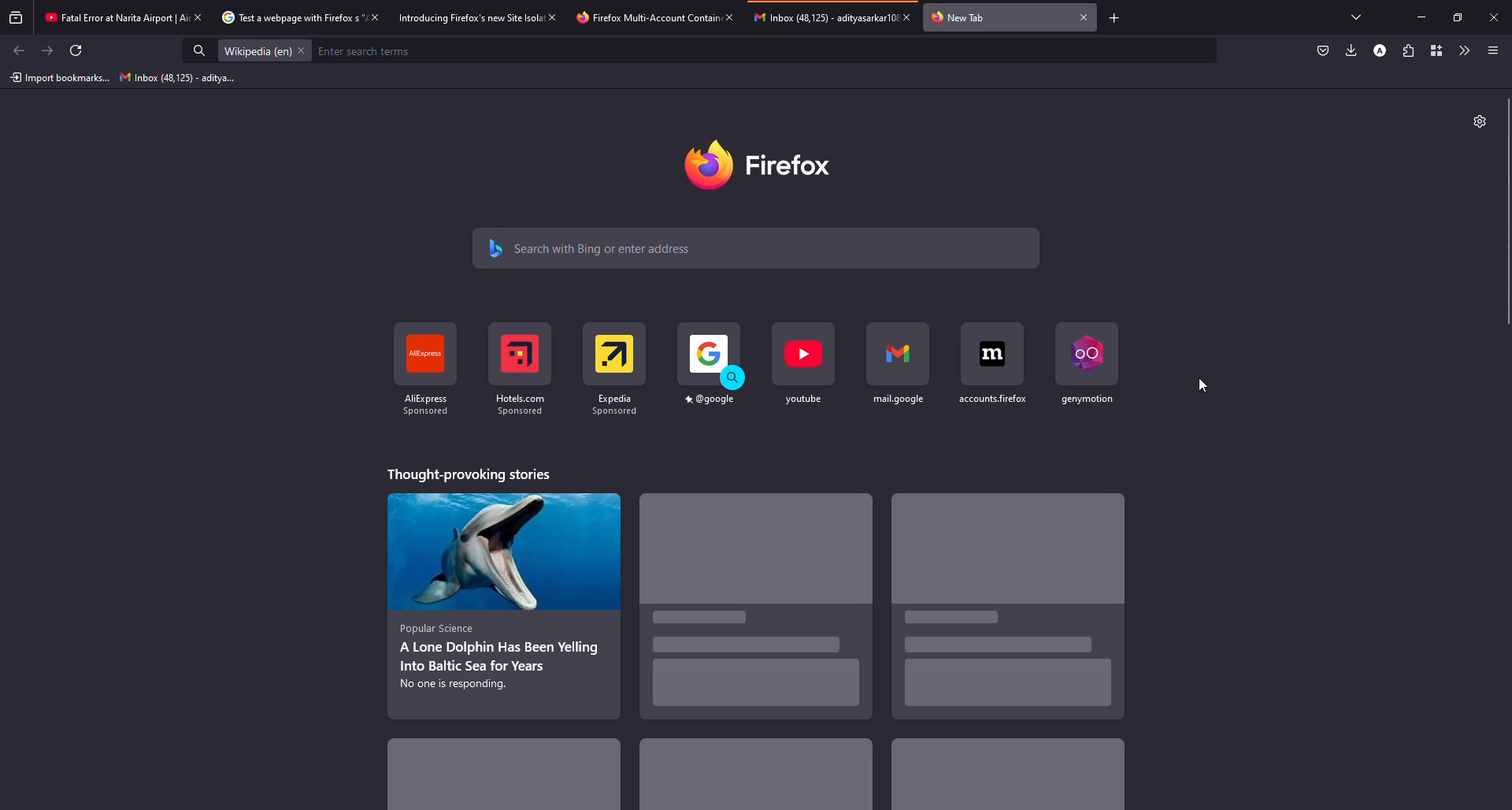 This screenshot has width=1512, height=810. What do you see at coordinates (708, 367) in the screenshot?
I see `@google` at bounding box center [708, 367].